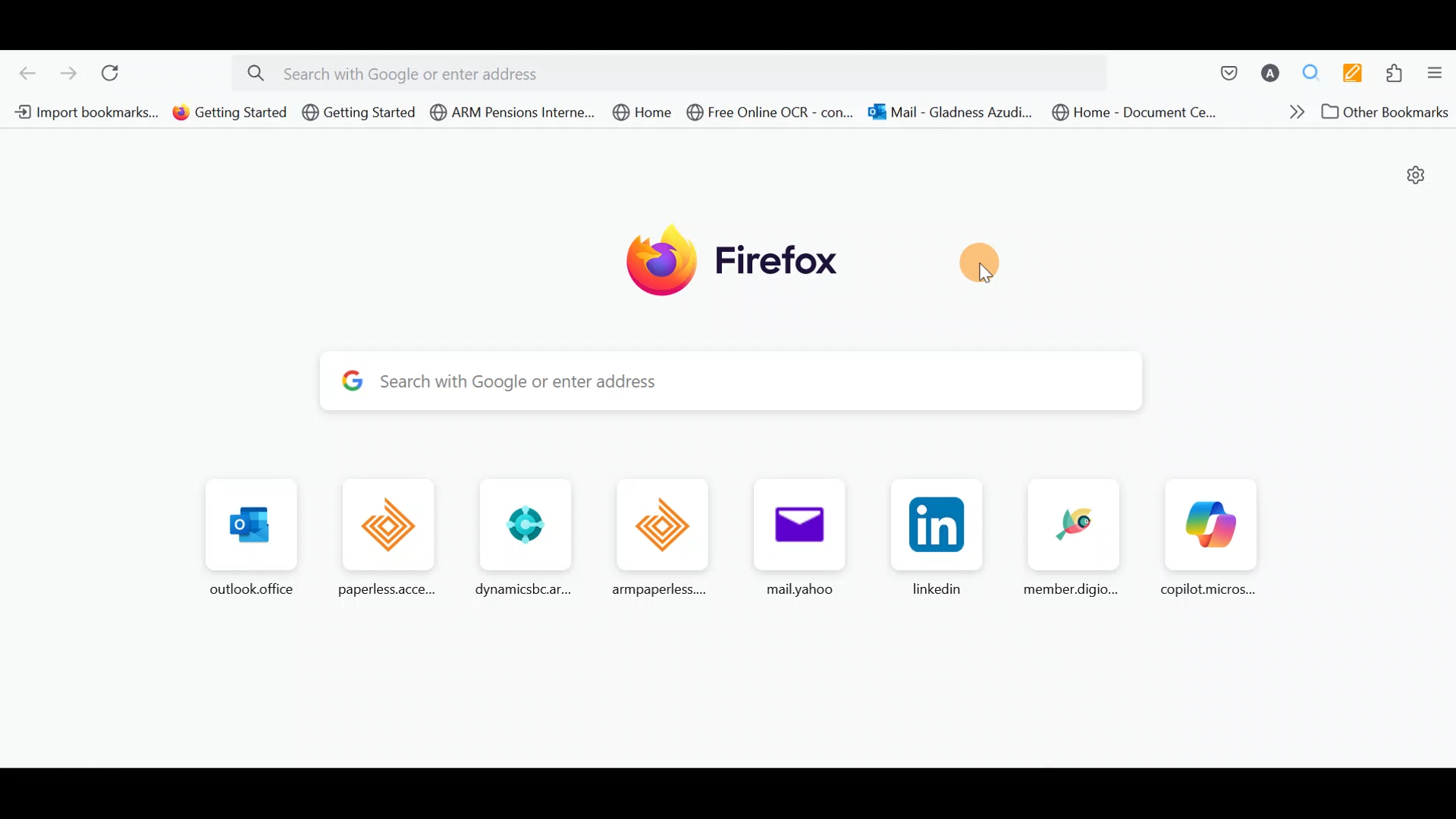 The width and height of the screenshot is (1456, 819). I want to click on Bookmark 8, so click(1140, 112).